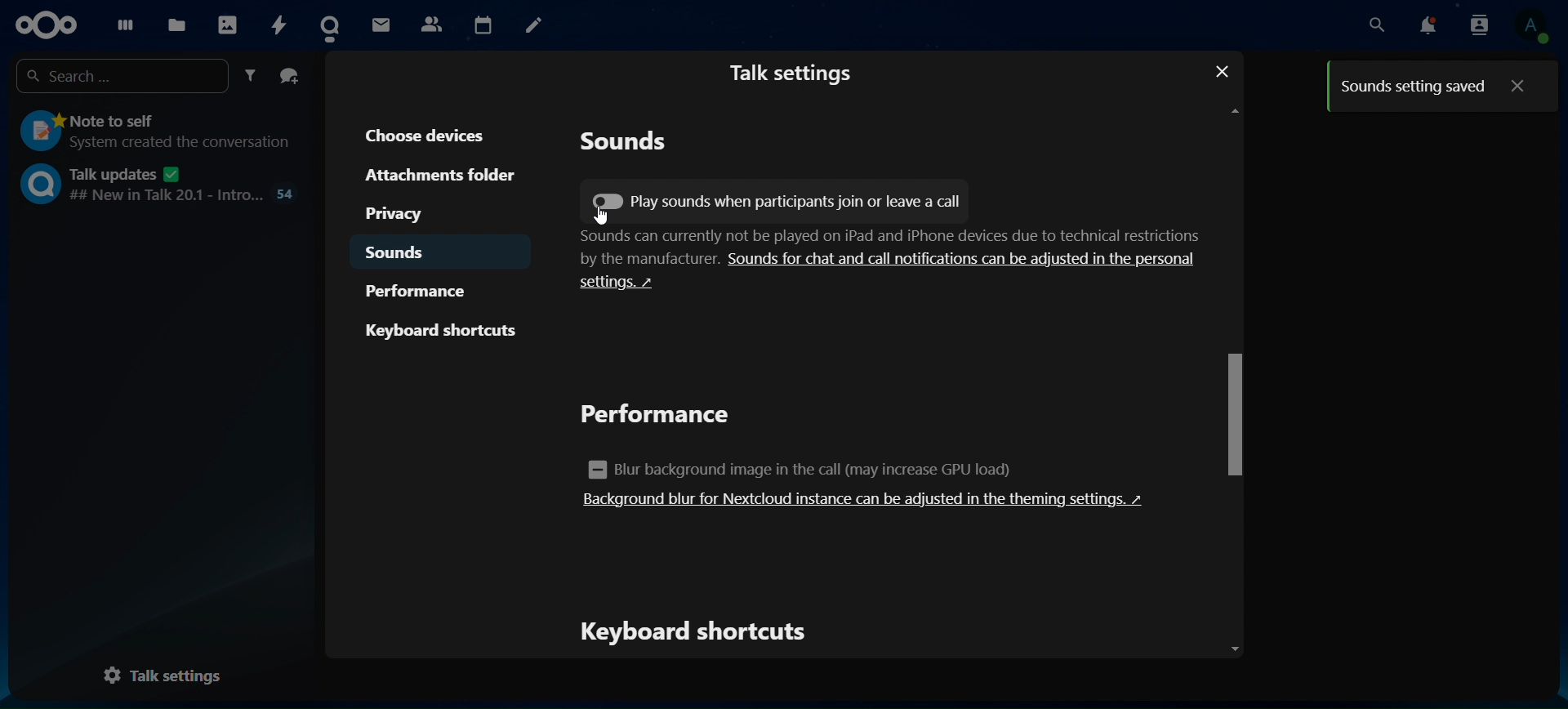 The width and height of the screenshot is (1568, 709). What do you see at coordinates (534, 25) in the screenshot?
I see `notes` at bounding box center [534, 25].